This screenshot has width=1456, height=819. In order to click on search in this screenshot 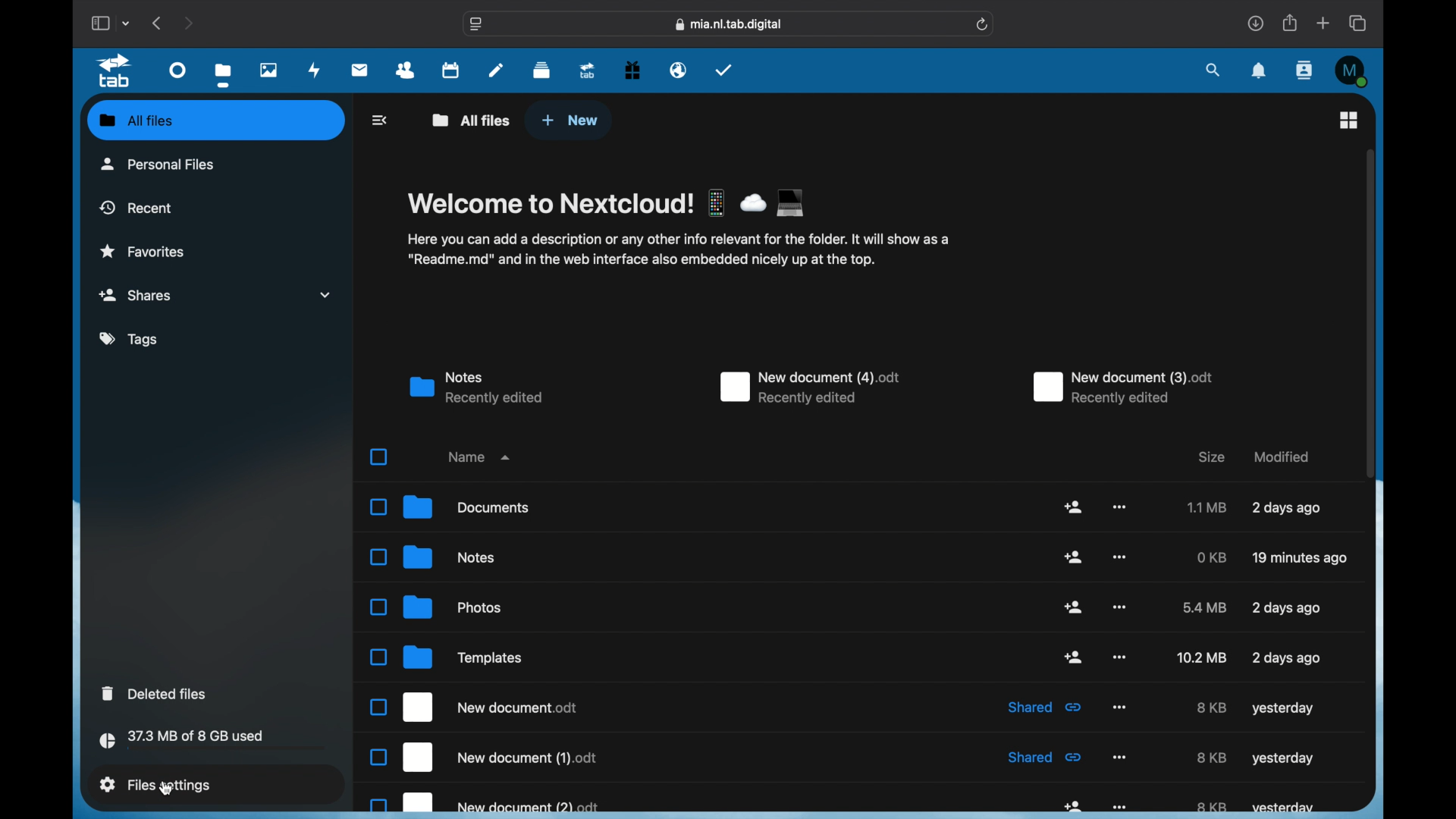, I will do `click(1213, 71)`.